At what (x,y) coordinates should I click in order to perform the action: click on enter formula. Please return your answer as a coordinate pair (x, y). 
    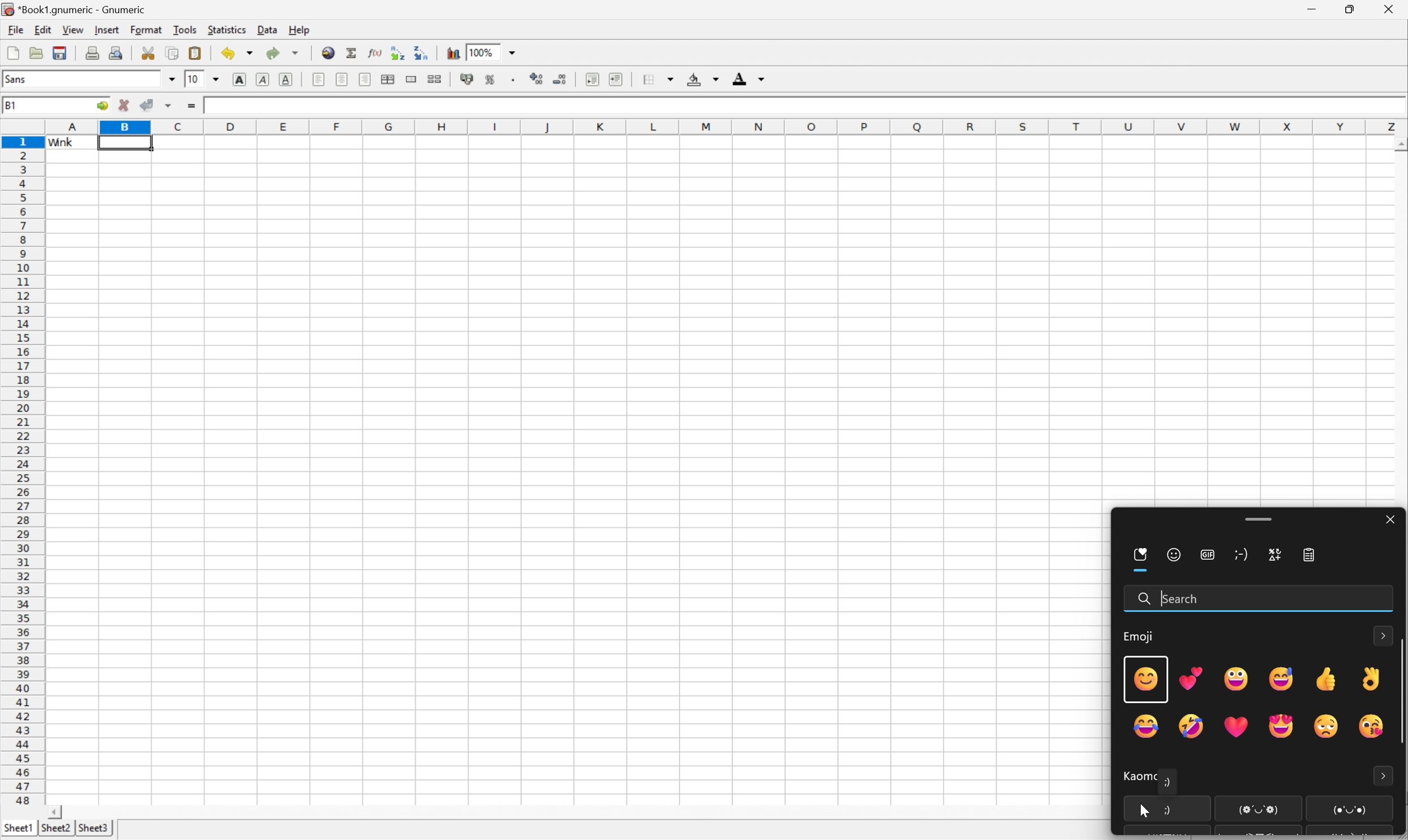
    Looking at the image, I should click on (191, 106).